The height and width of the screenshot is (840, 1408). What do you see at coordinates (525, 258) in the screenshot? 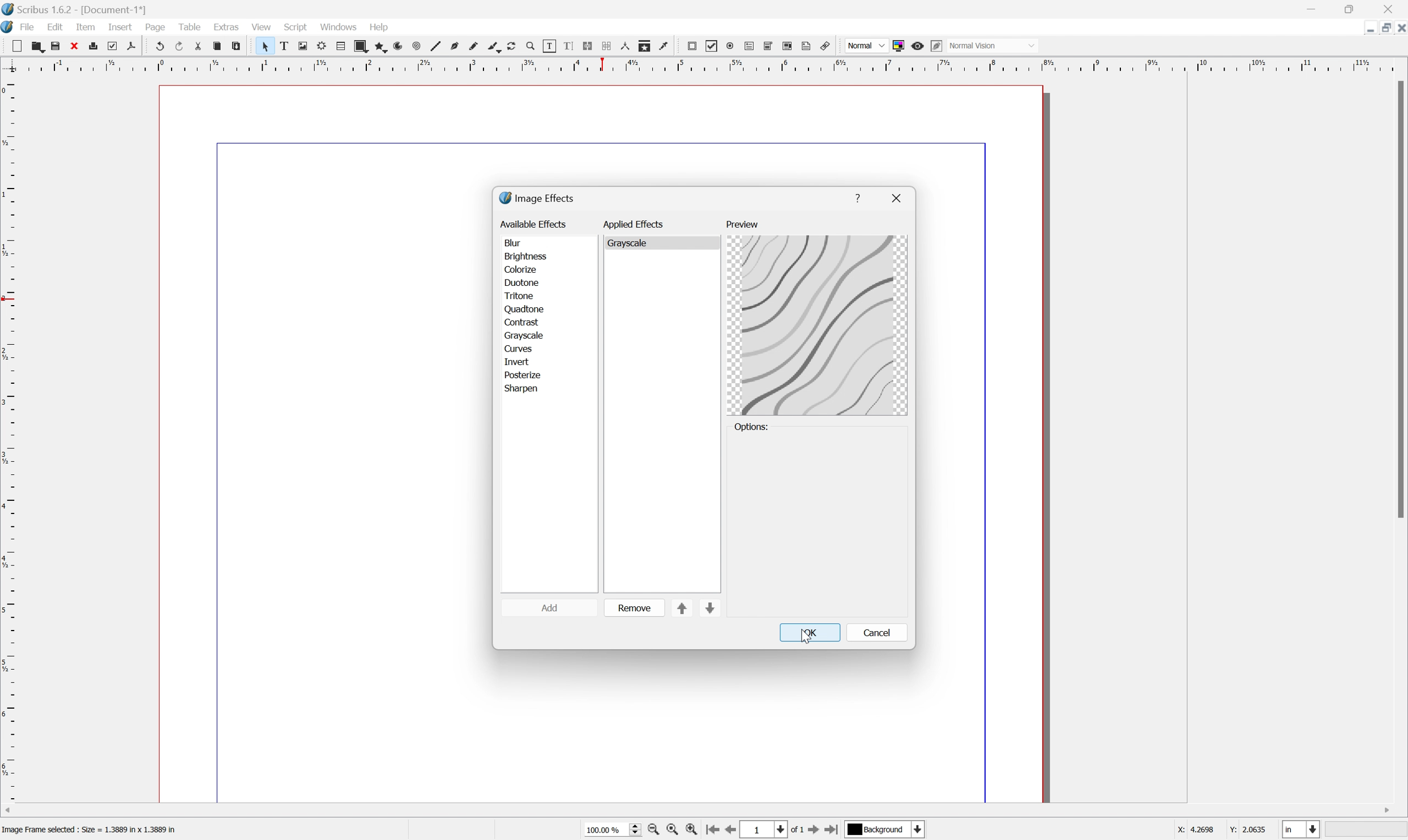
I see `brightness` at bounding box center [525, 258].